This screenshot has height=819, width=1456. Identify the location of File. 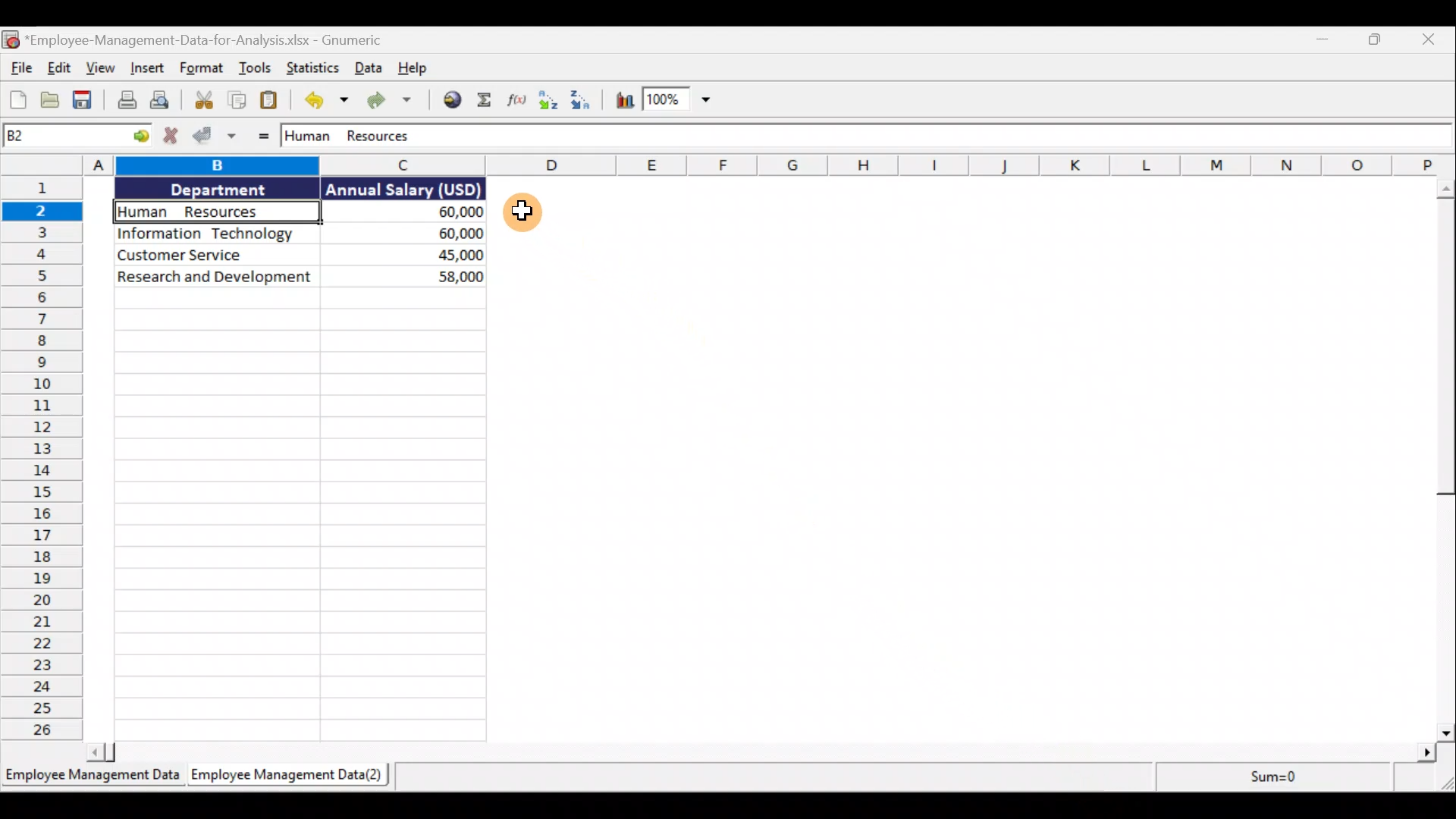
(18, 68).